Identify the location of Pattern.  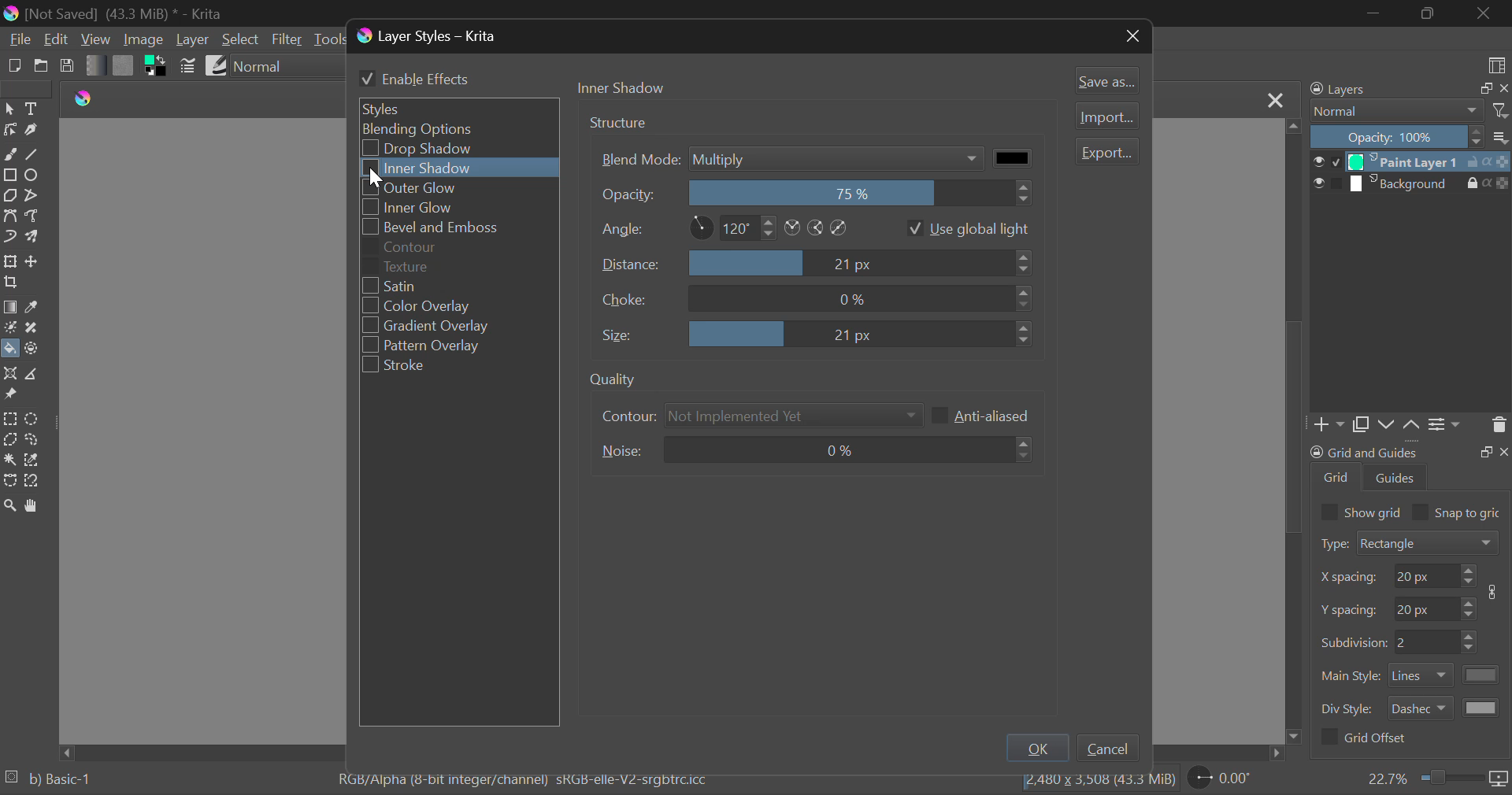
(123, 68).